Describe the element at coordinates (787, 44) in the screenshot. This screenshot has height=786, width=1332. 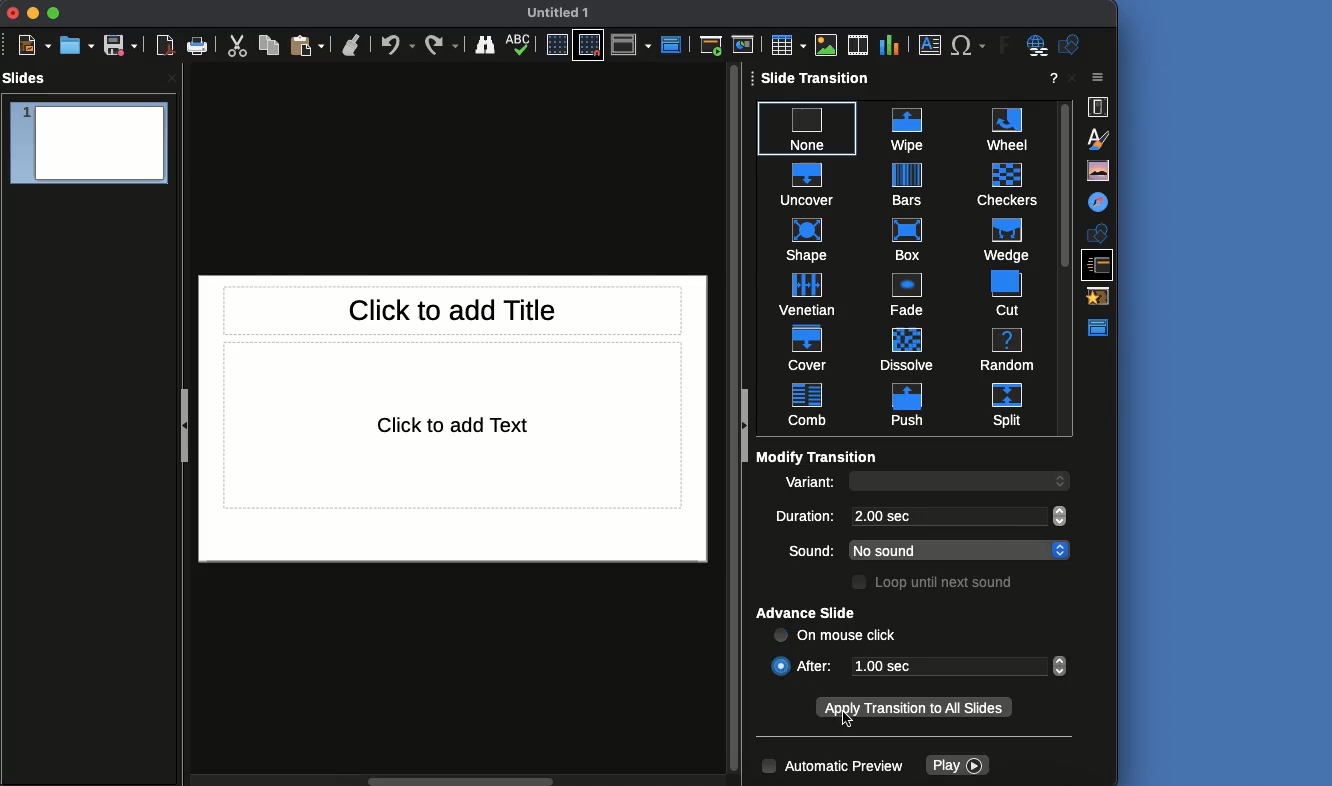
I see `Table` at that location.